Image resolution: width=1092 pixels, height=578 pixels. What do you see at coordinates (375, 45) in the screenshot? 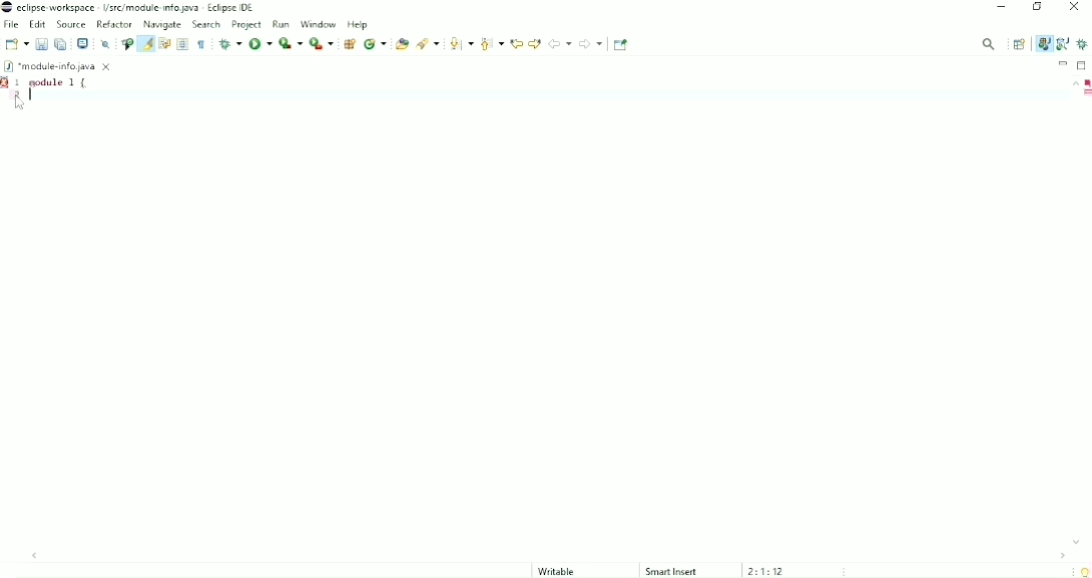
I see `New java class` at bounding box center [375, 45].